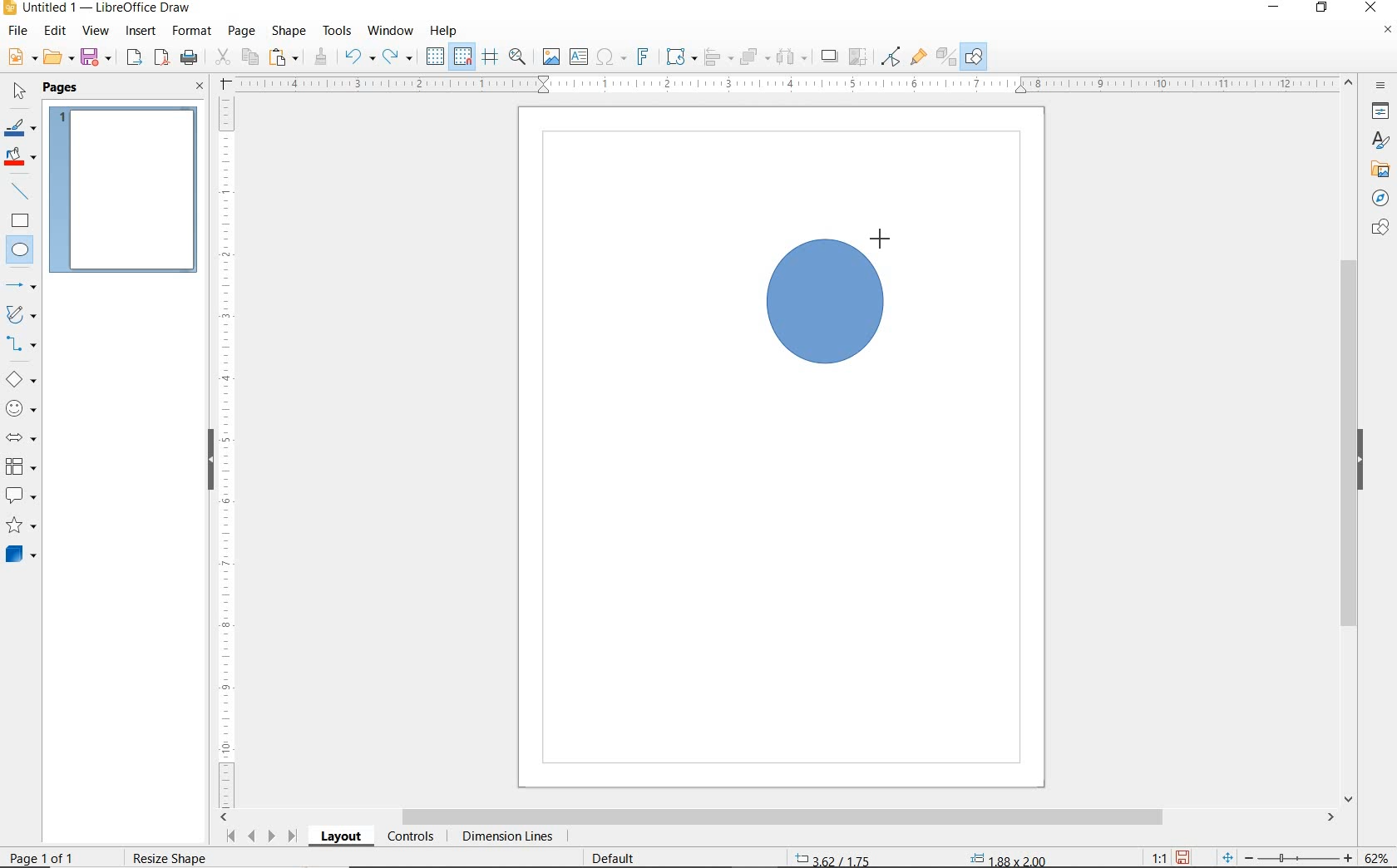  What do you see at coordinates (1375, 199) in the screenshot?
I see `NAVIGATOR` at bounding box center [1375, 199].